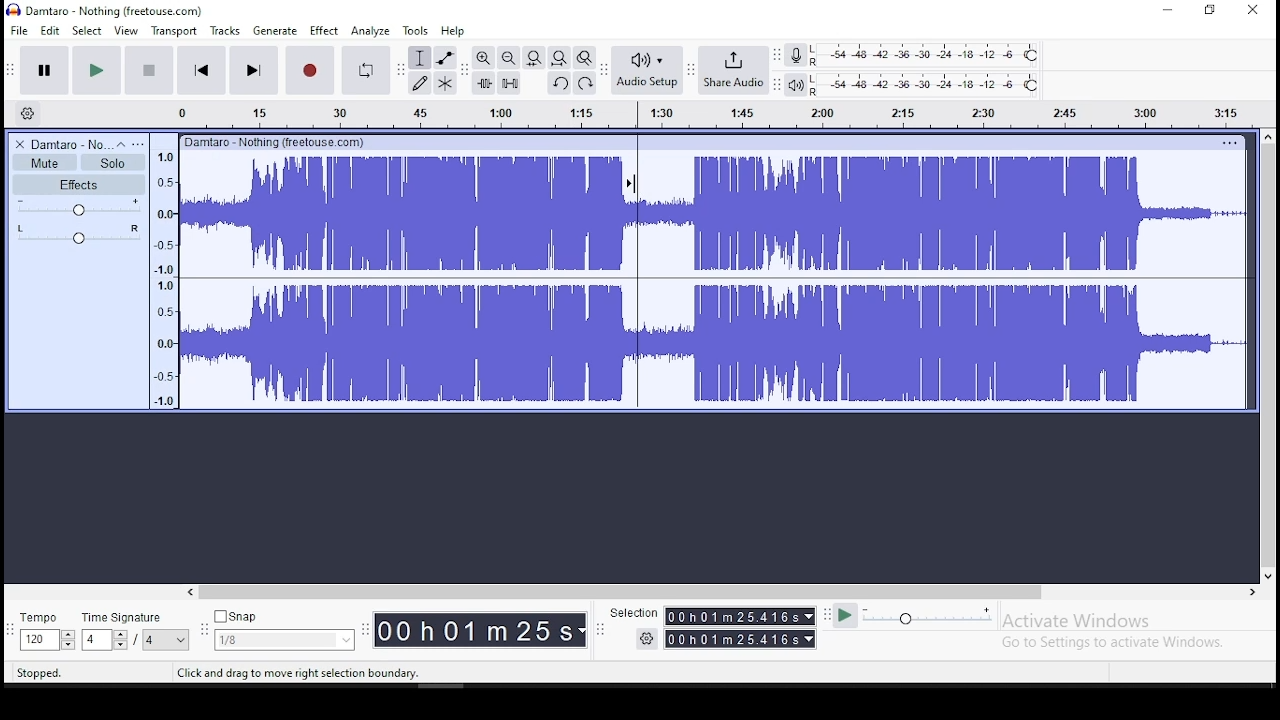 Image resolution: width=1280 pixels, height=720 pixels. I want to click on scroll right, so click(1251, 592).